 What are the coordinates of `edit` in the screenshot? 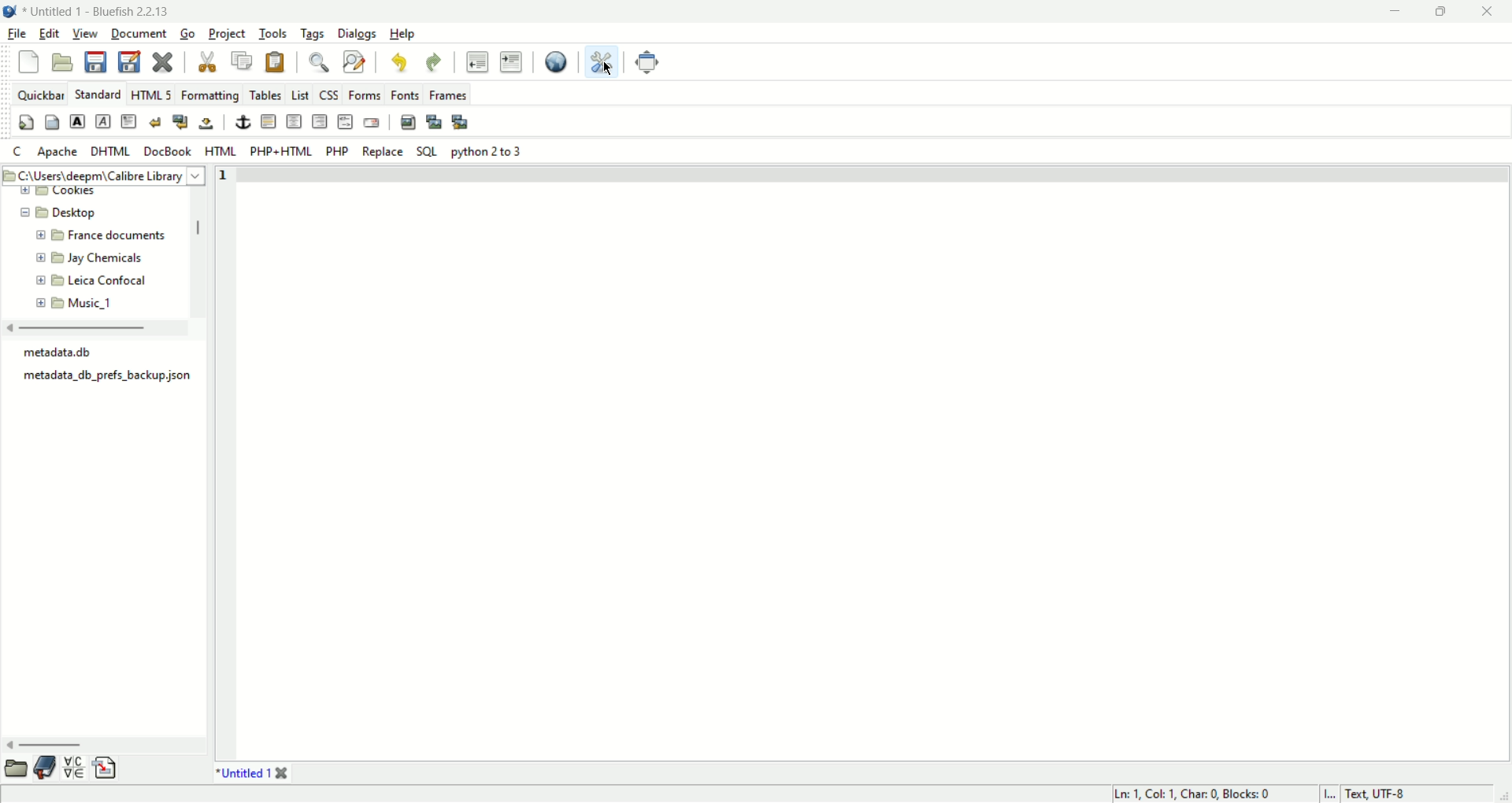 It's located at (49, 34).